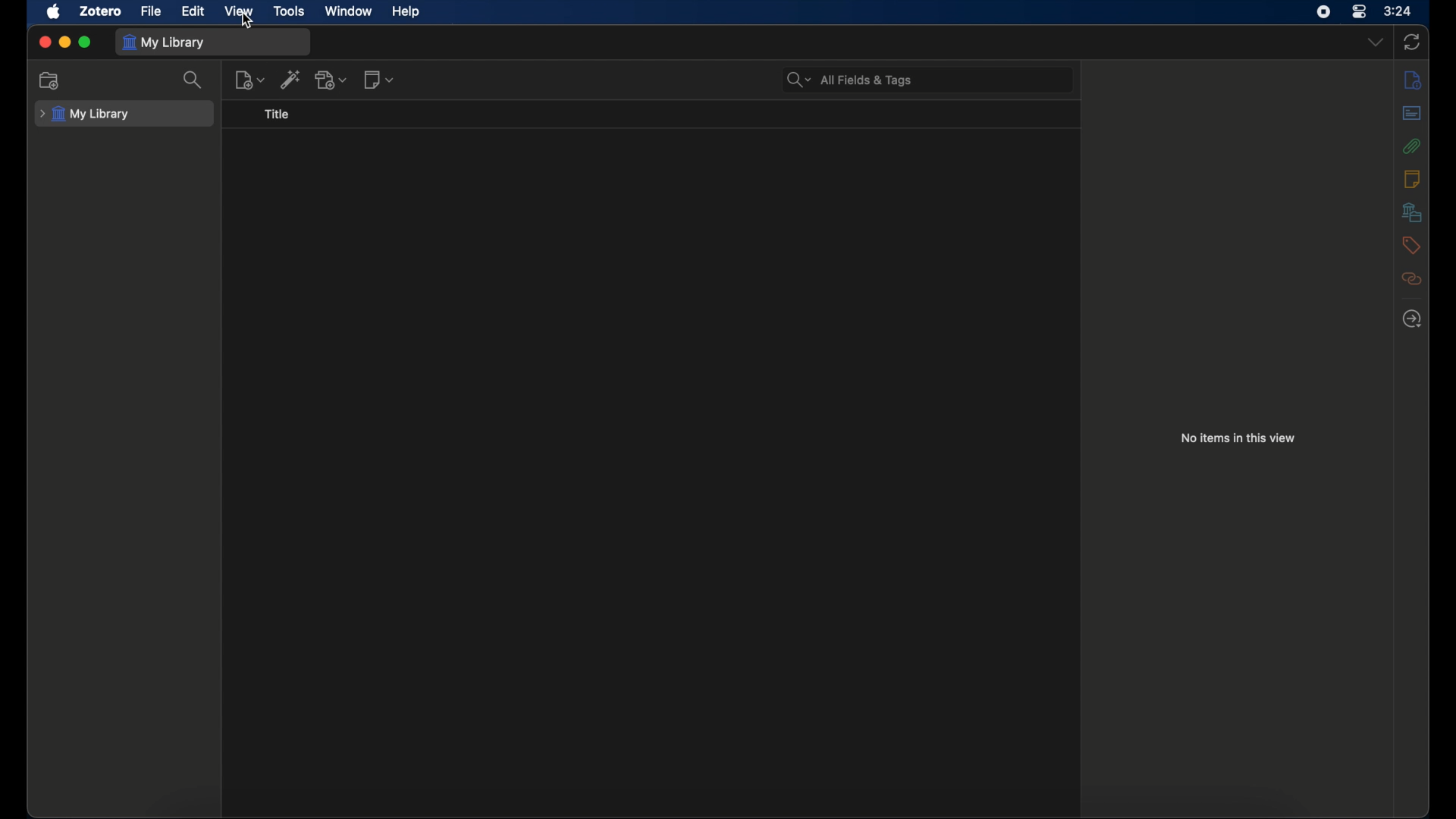  I want to click on window, so click(349, 10).